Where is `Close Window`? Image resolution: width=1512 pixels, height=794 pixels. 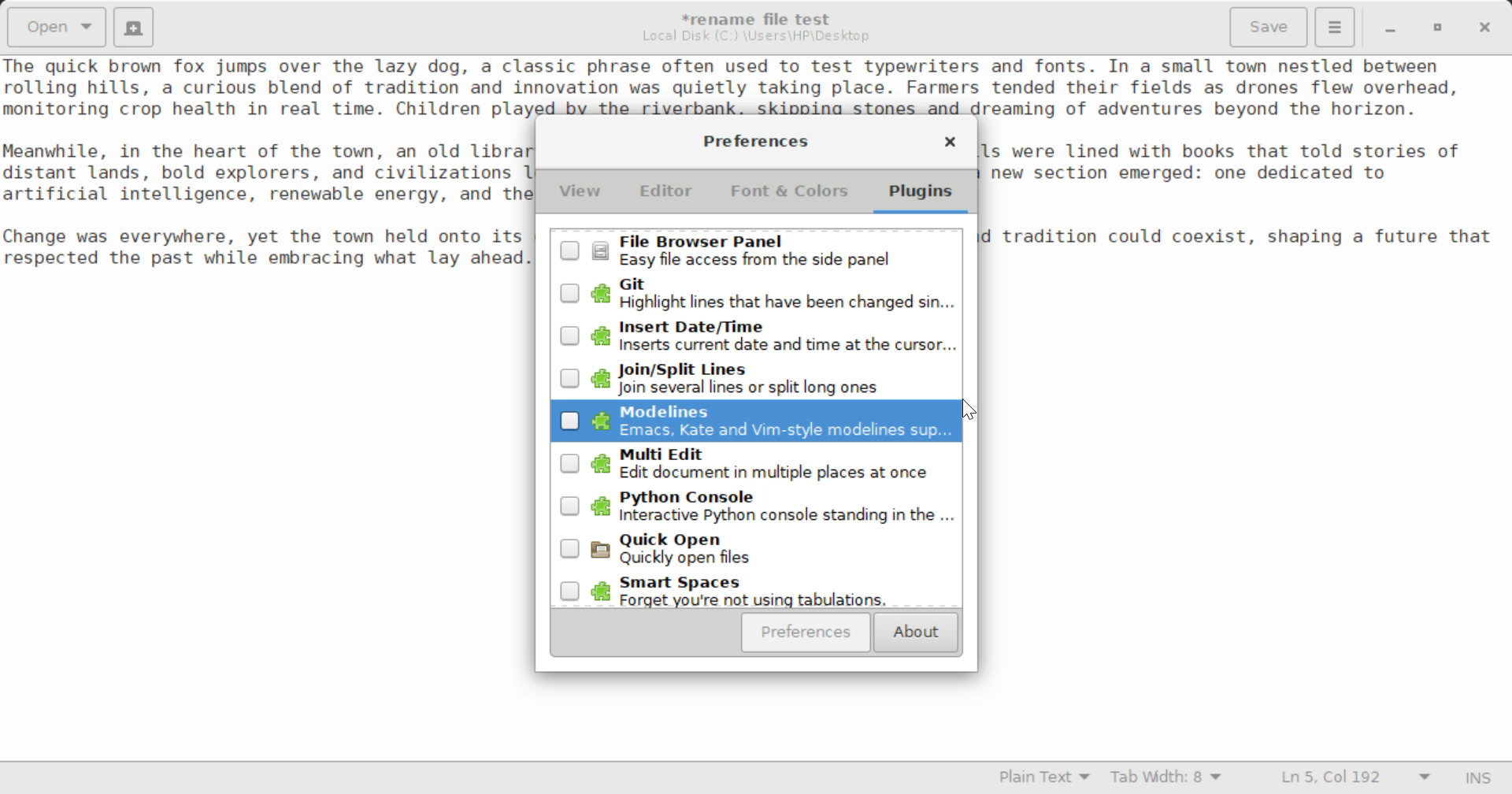 Close Window is located at coordinates (1487, 26).